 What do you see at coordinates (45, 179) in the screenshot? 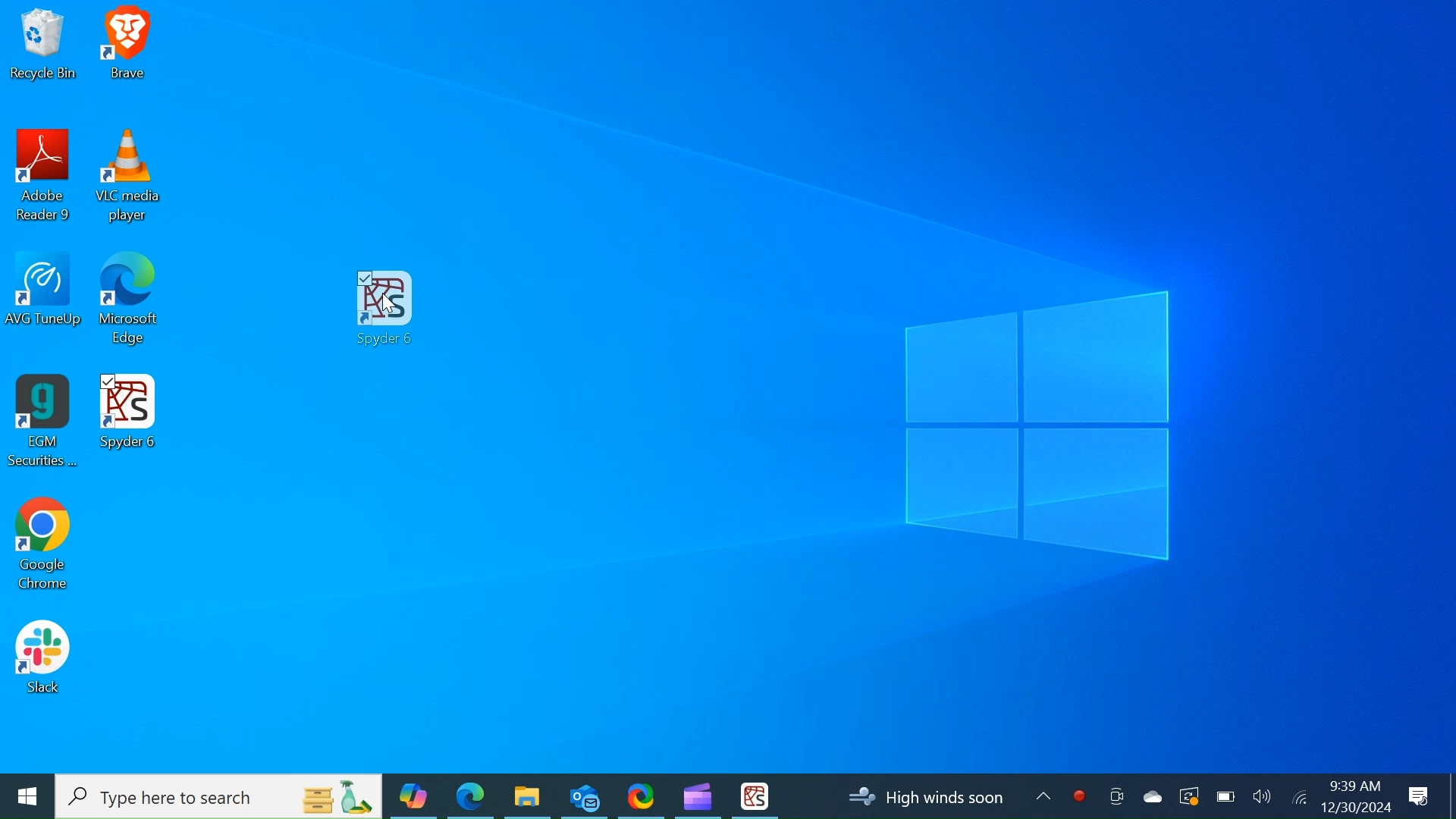
I see `Adobe Reader Desktop Icon` at bounding box center [45, 179].